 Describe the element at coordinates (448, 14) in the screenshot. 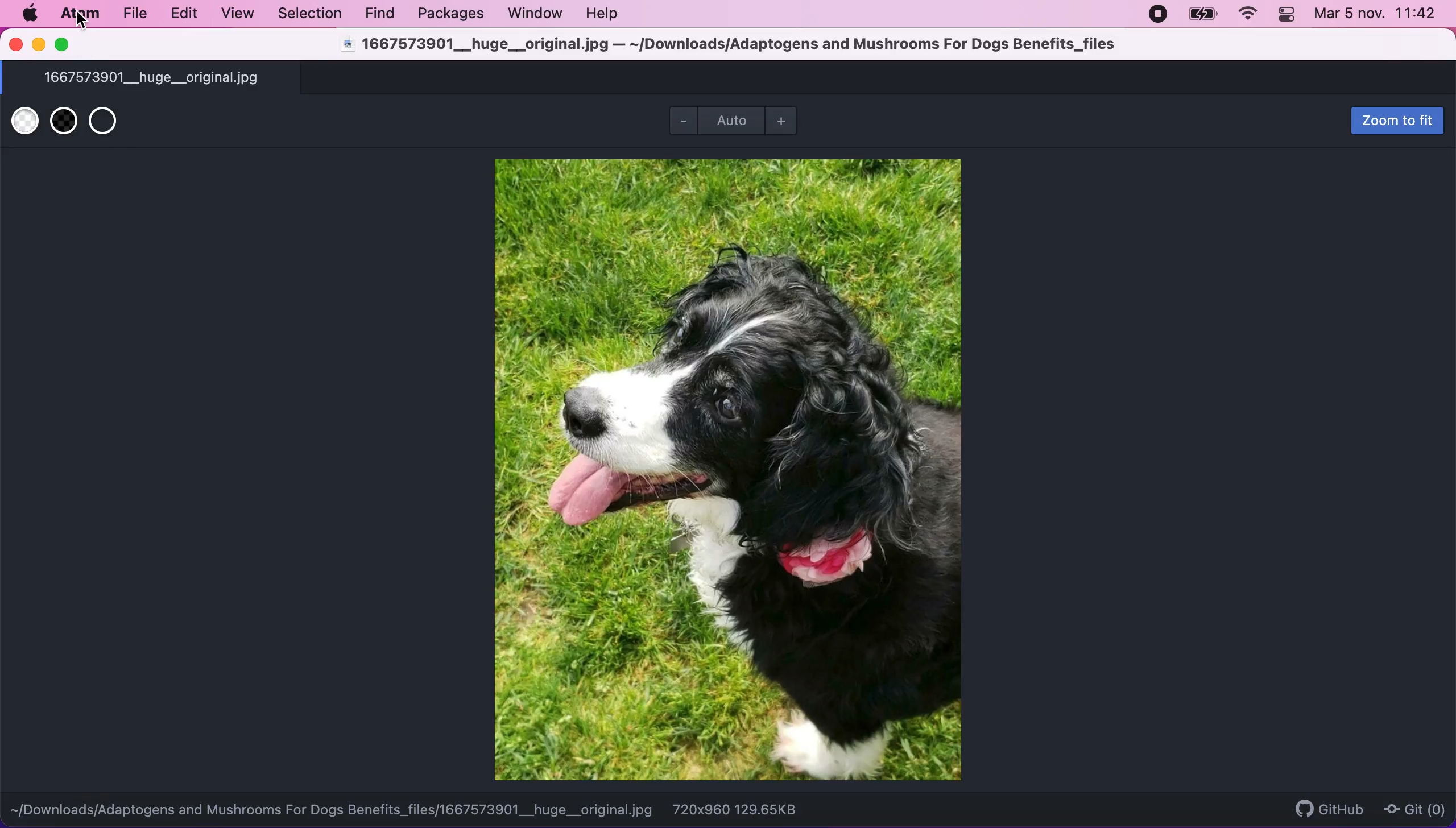

I see `packages` at that location.